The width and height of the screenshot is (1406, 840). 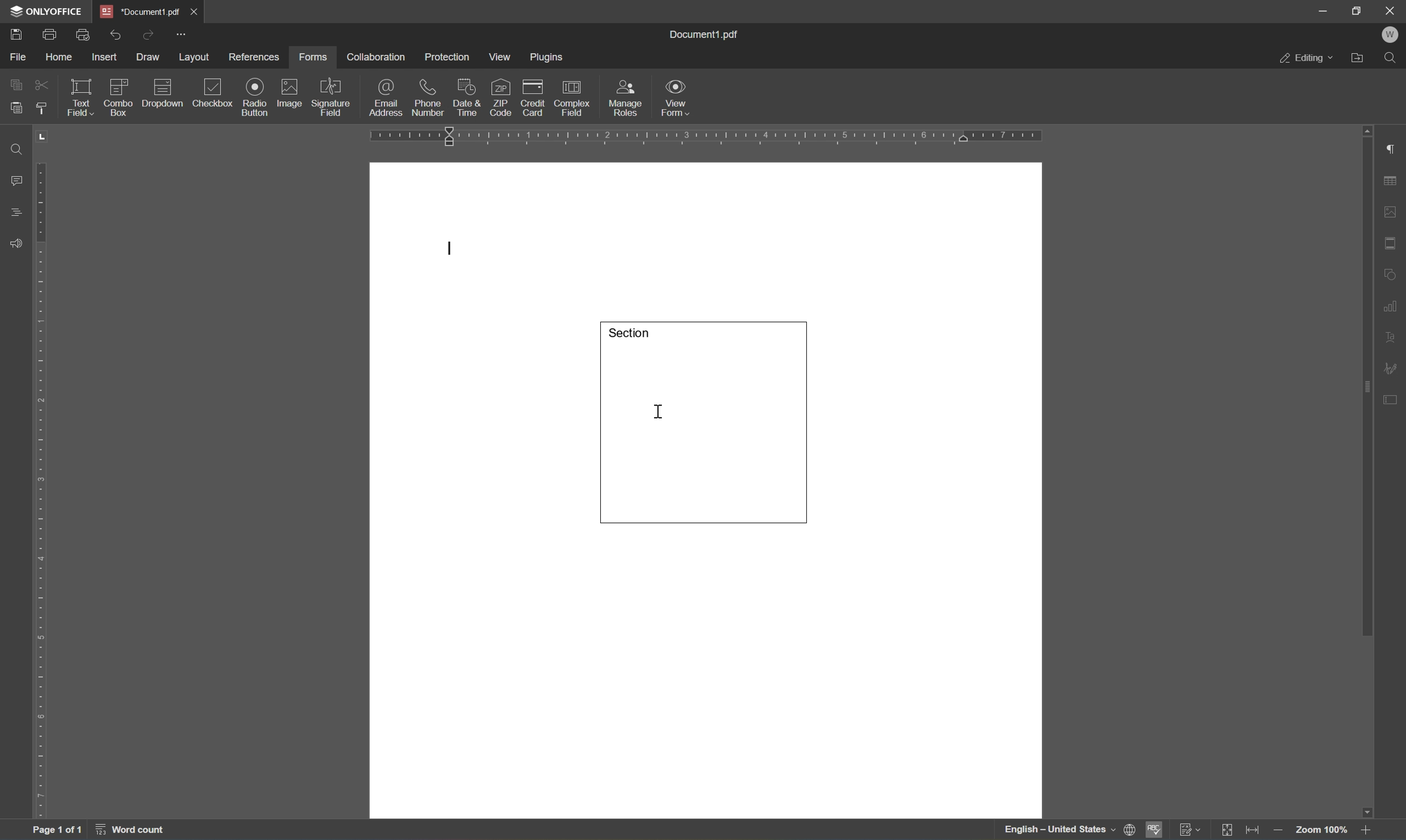 What do you see at coordinates (533, 97) in the screenshot?
I see `credit card` at bounding box center [533, 97].